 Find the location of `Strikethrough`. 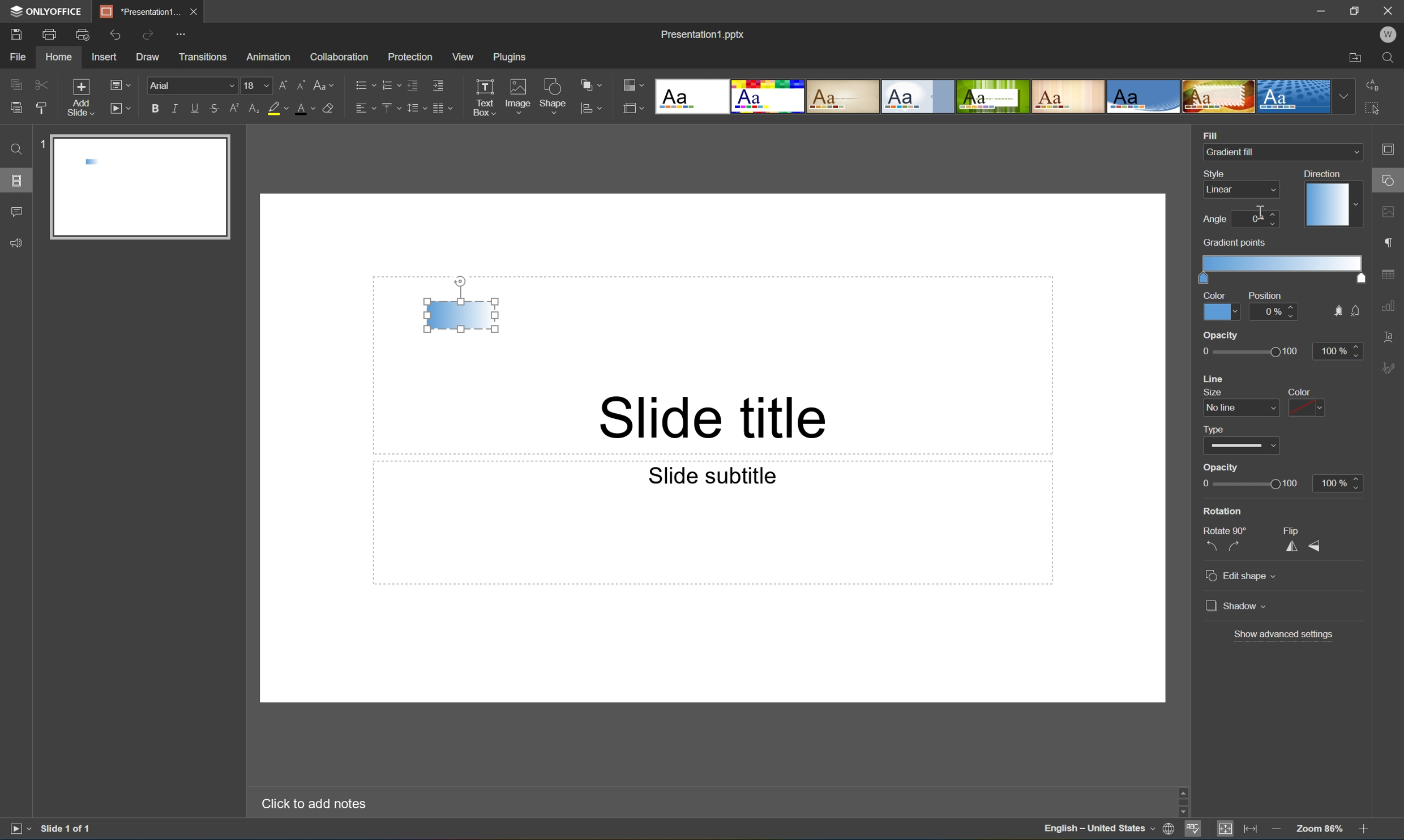

Strikethrough is located at coordinates (214, 109).